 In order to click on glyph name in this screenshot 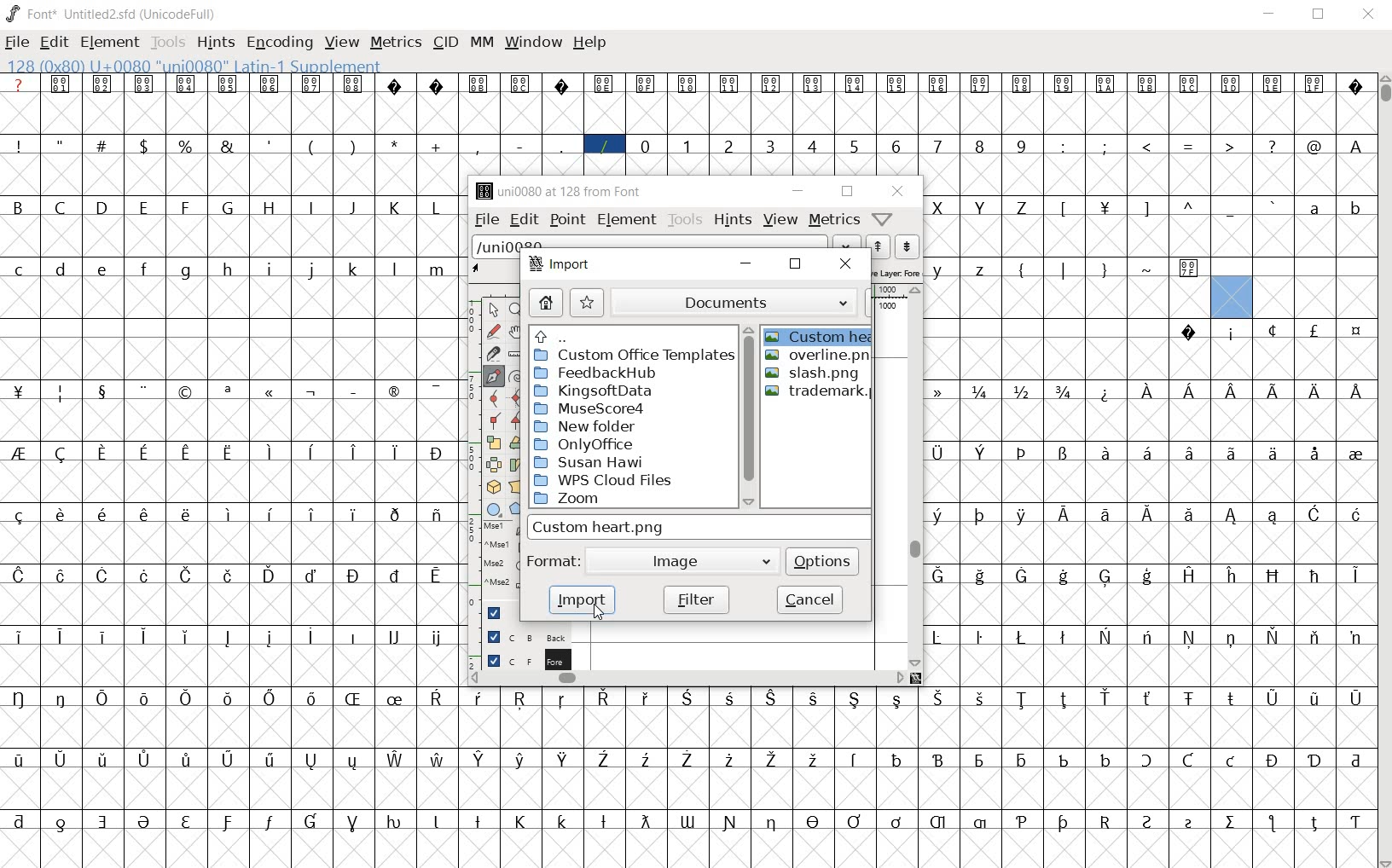, I will do `click(555, 191)`.